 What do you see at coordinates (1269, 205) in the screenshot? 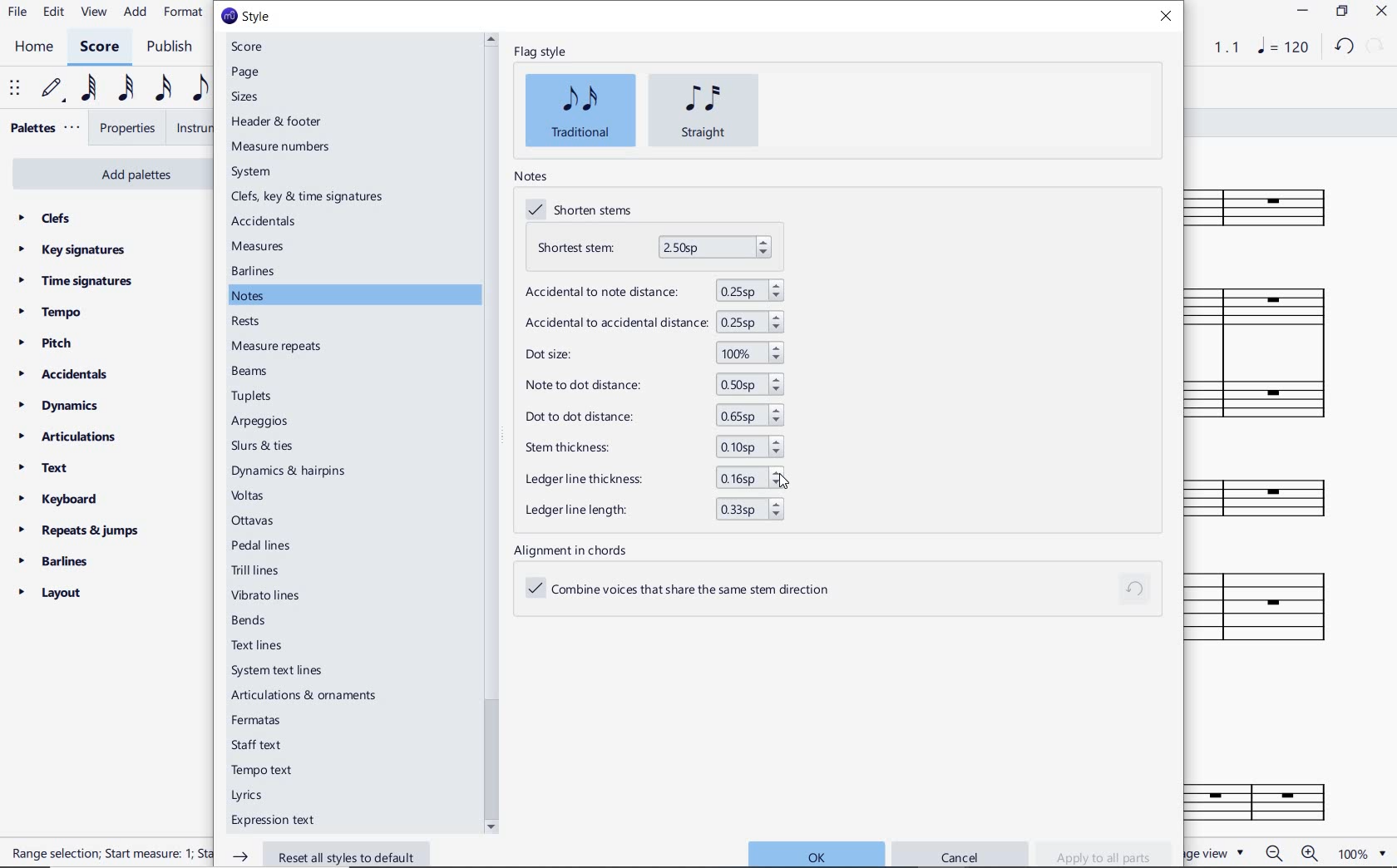
I see `Instrument: Flute` at bounding box center [1269, 205].